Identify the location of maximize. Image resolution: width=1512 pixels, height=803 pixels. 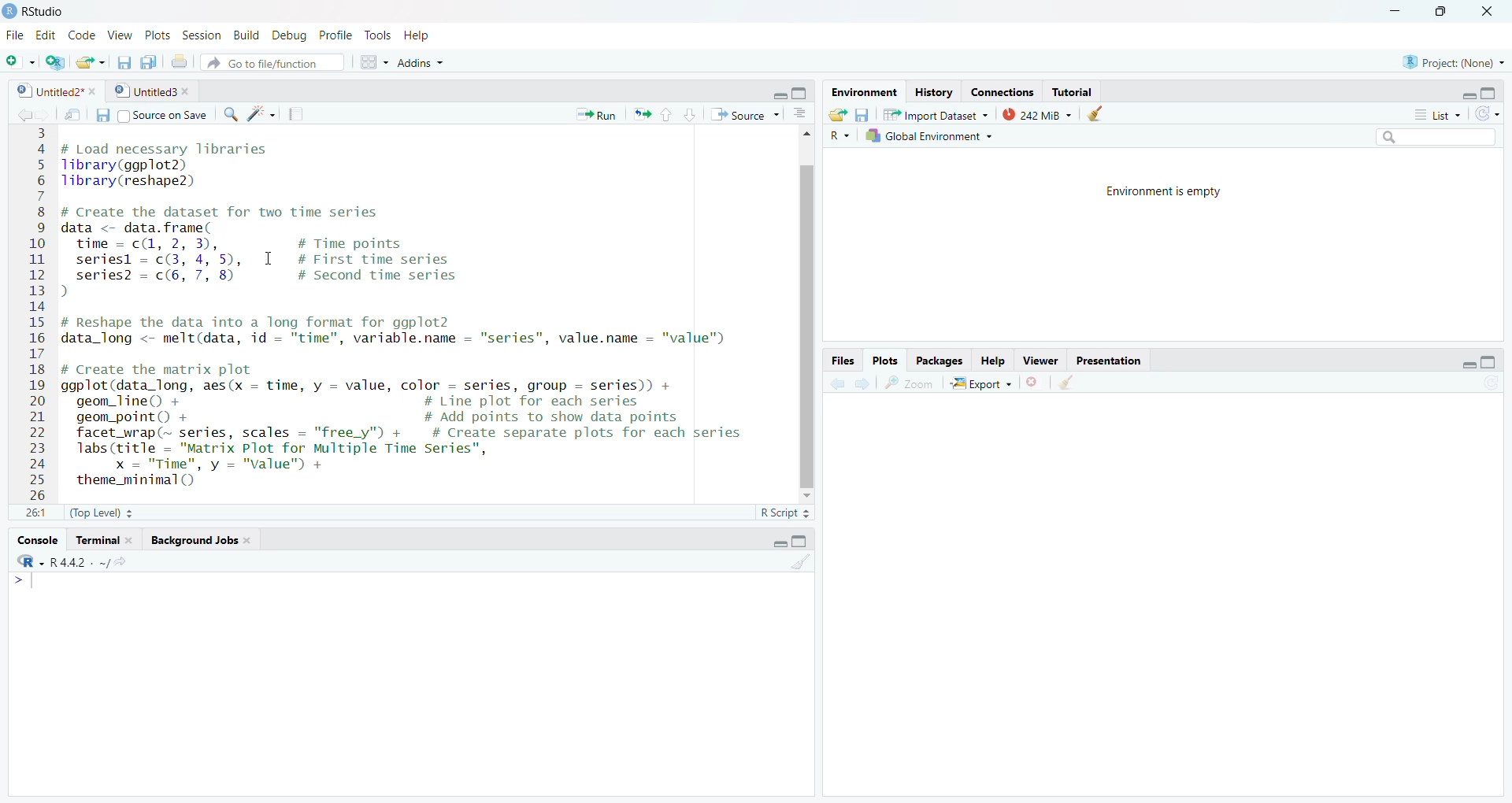
(1490, 362).